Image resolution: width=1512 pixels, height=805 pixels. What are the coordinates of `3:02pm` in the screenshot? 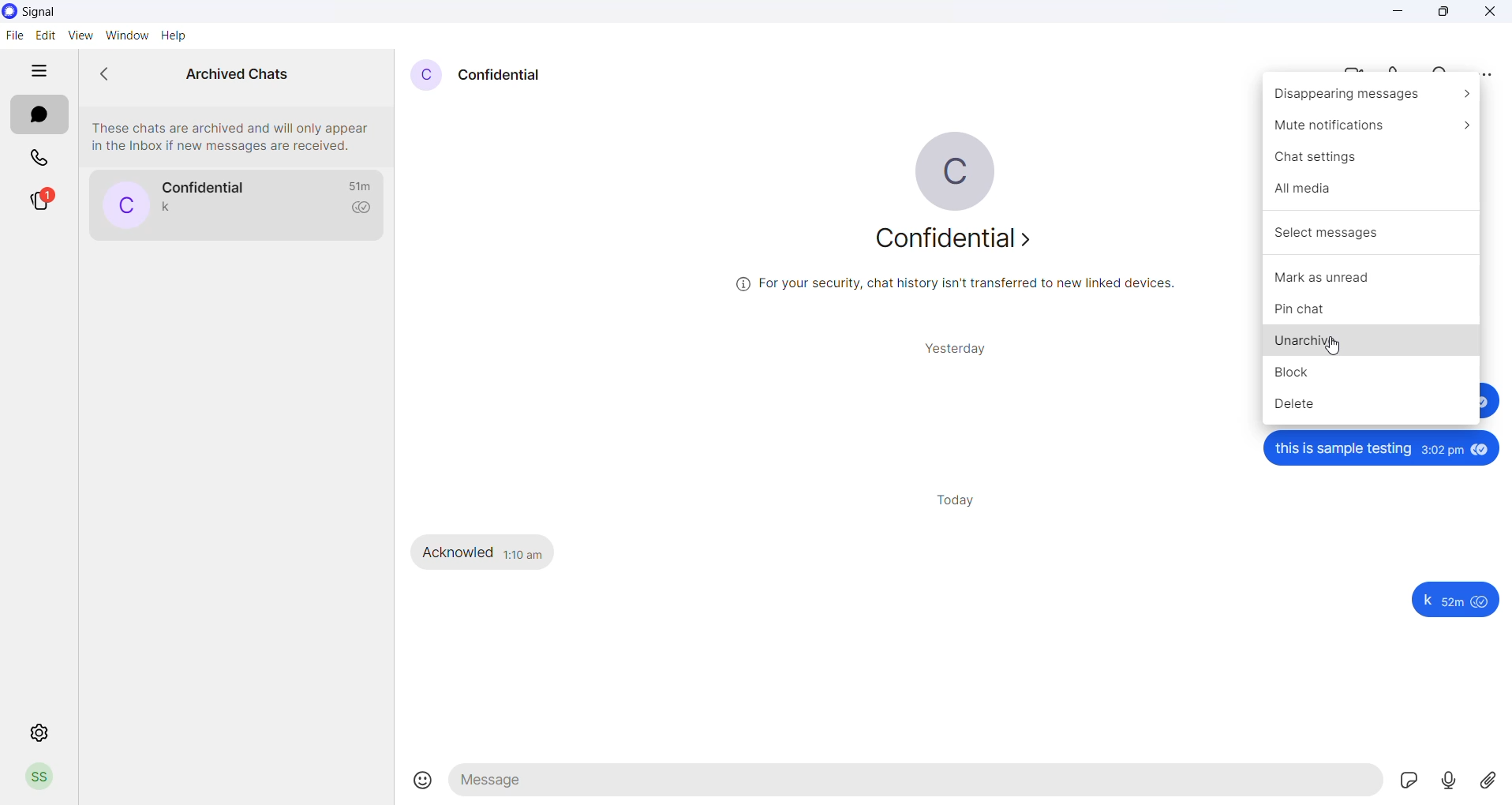 It's located at (1441, 450).